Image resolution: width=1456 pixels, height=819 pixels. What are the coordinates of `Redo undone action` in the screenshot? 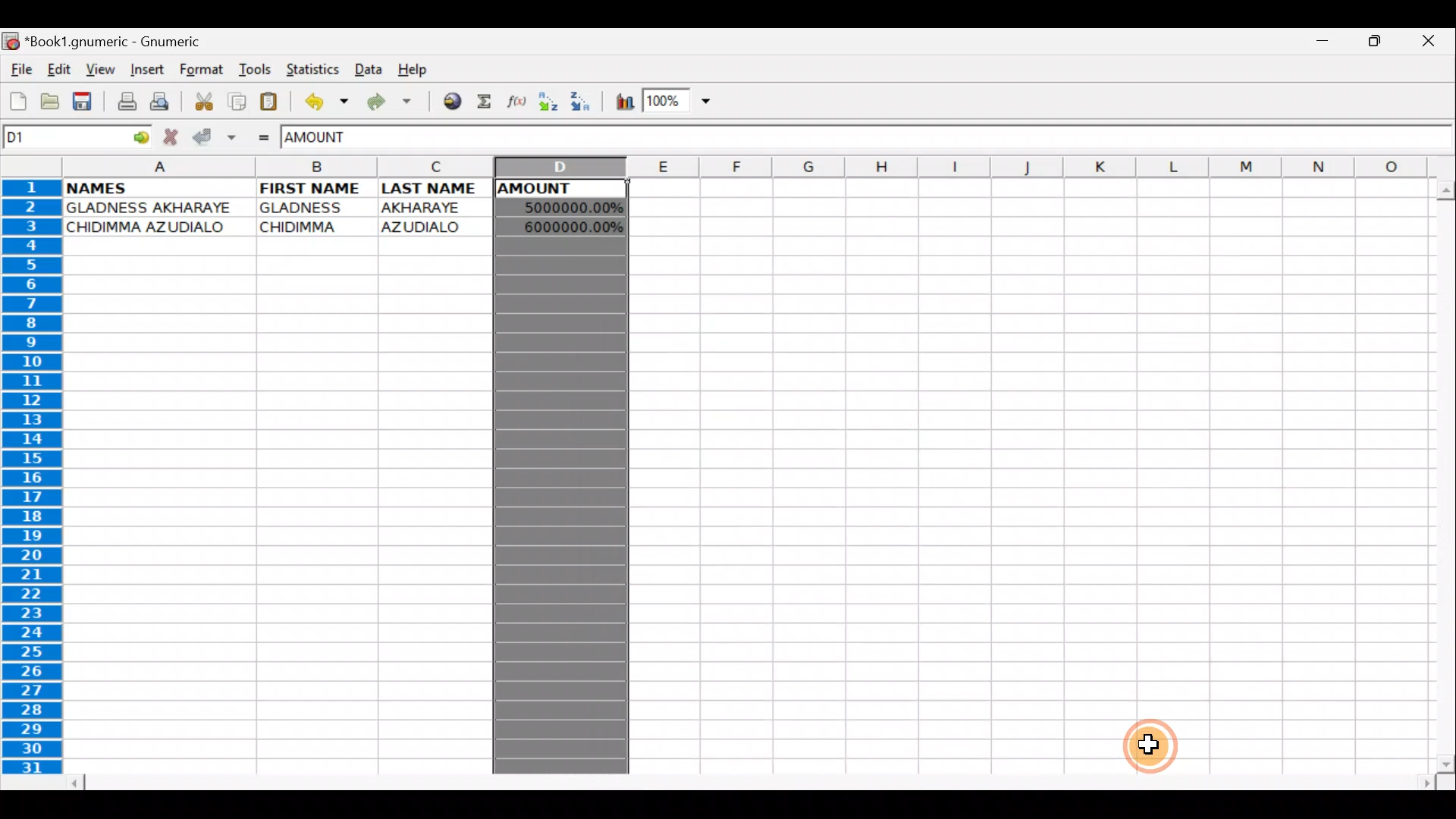 It's located at (386, 102).